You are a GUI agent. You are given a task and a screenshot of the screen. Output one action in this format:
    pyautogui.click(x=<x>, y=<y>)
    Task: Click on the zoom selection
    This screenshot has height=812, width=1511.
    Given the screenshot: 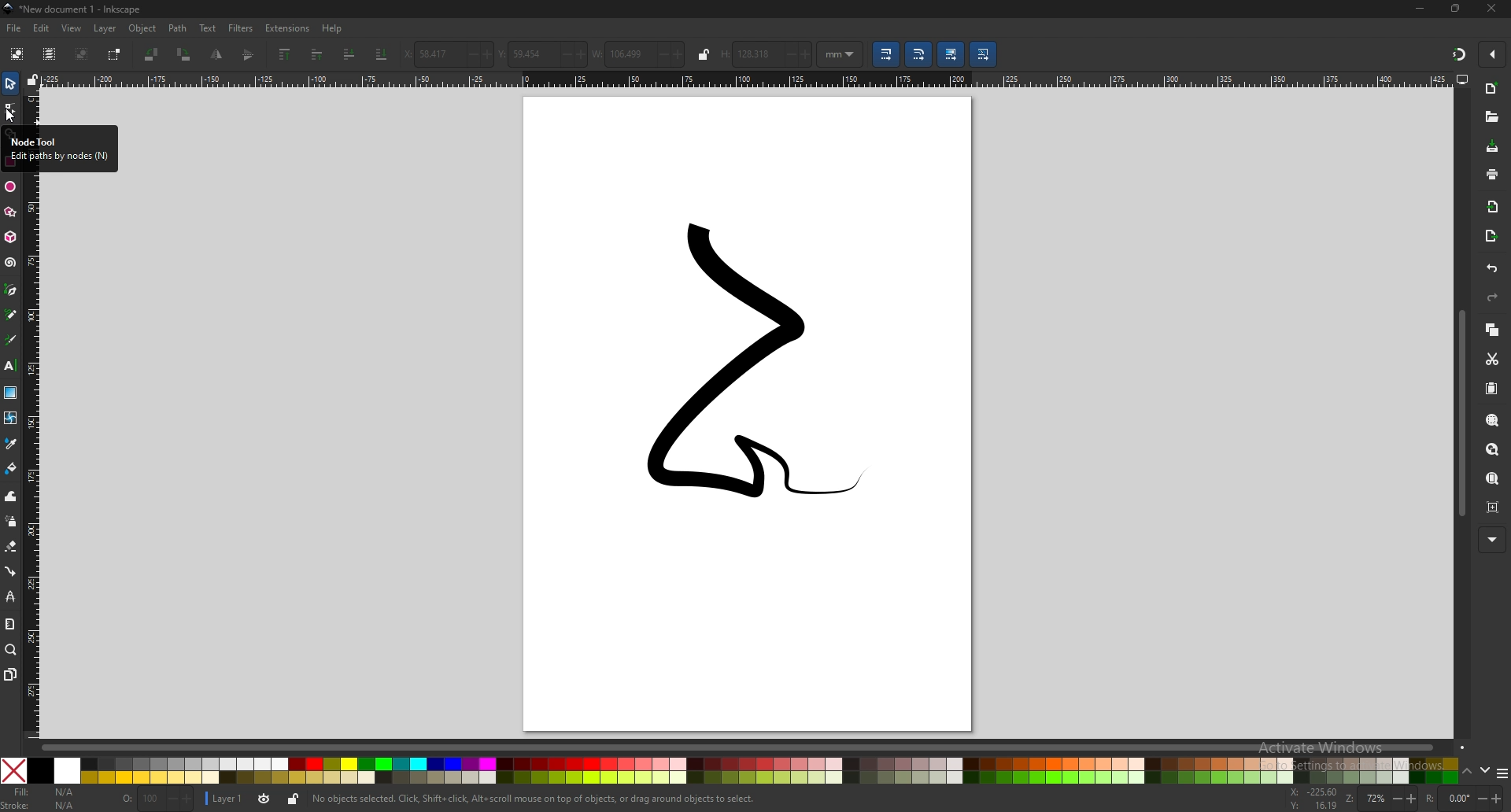 What is the action you would take?
    pyautogui.click(x=1493, y=420)
    